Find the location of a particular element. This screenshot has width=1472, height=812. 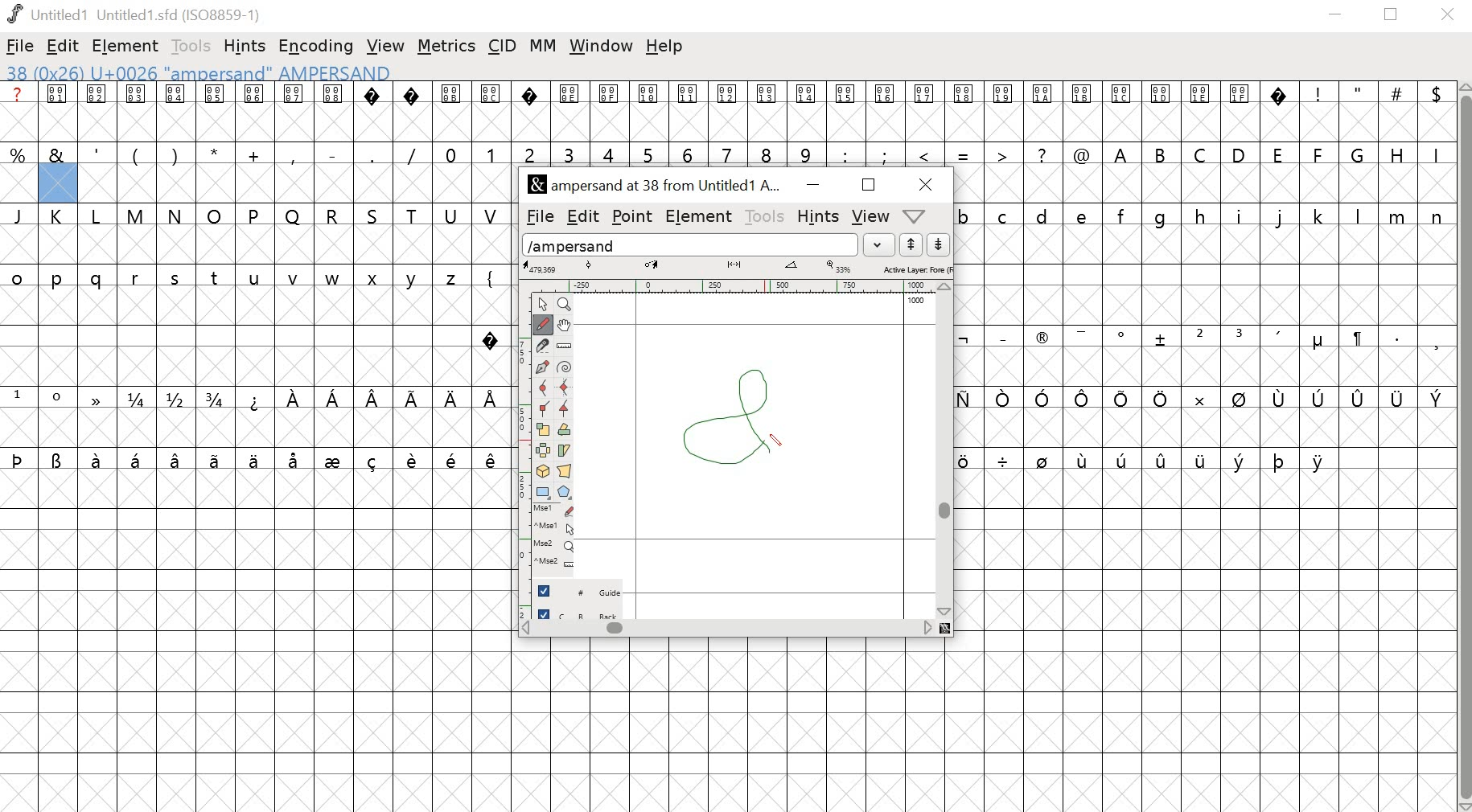

y is located at coordinates (415, 278).